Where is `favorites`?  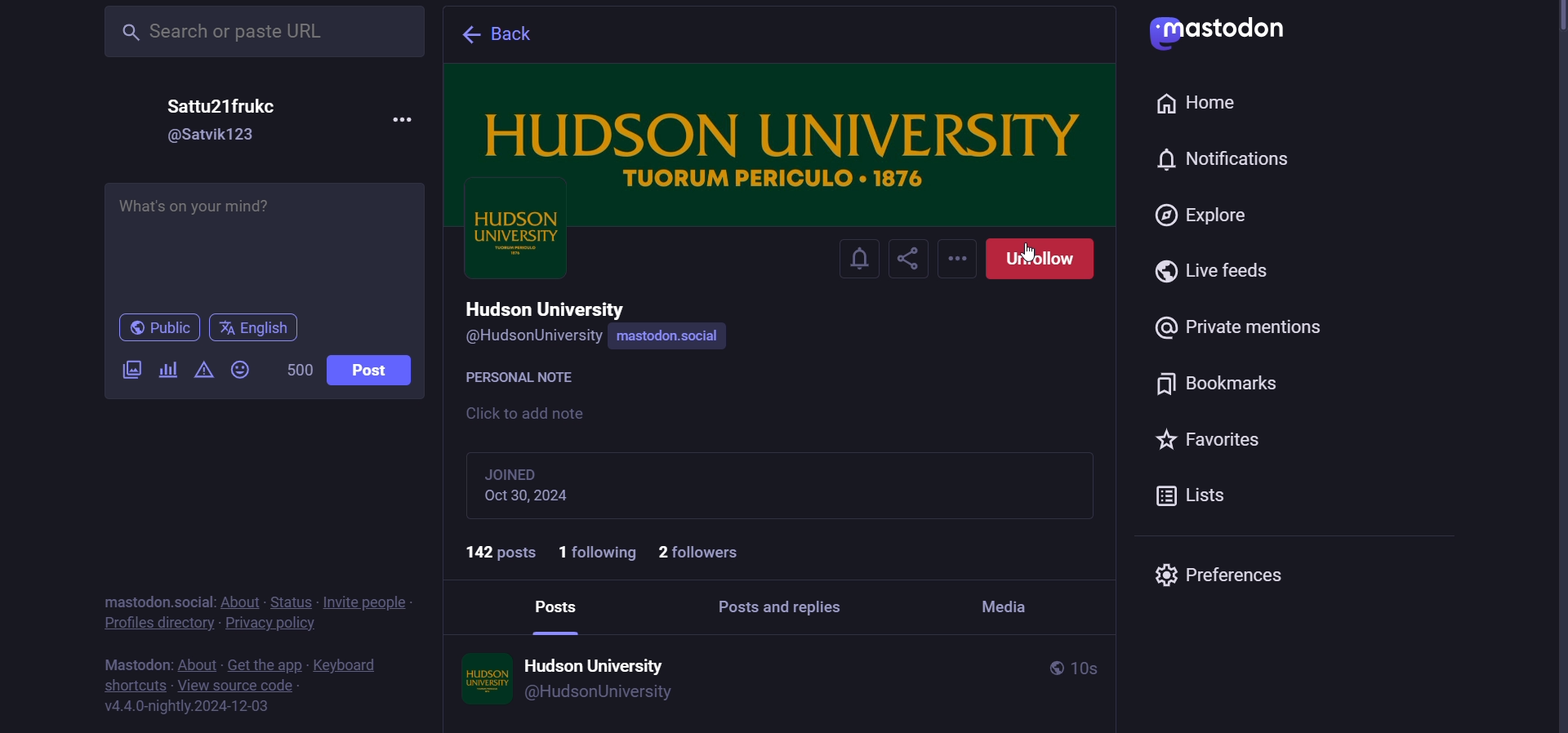
favorites is located at coordinates (1212, 440).